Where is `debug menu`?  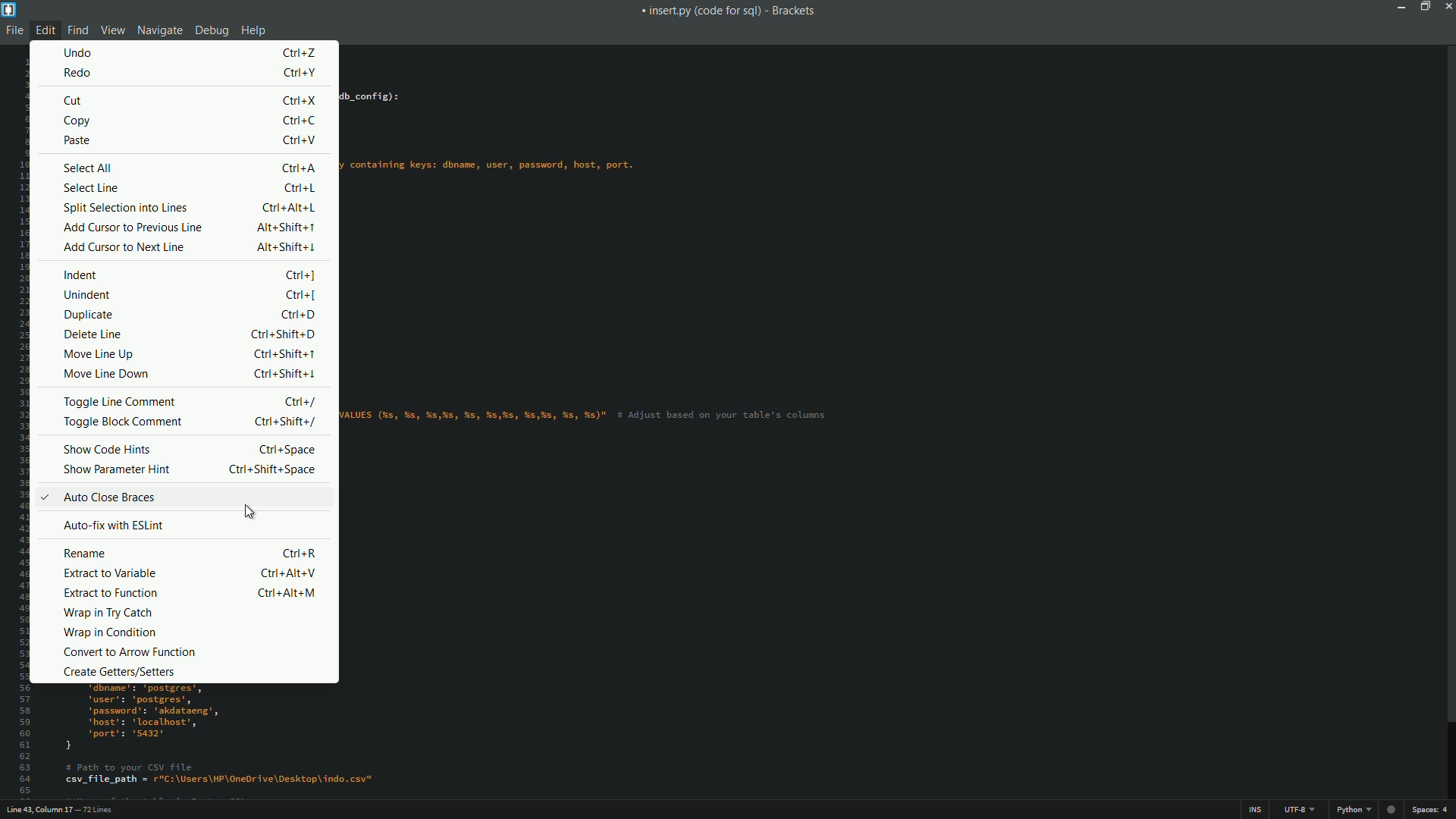 debug menu is located at coordinates (212, 30).